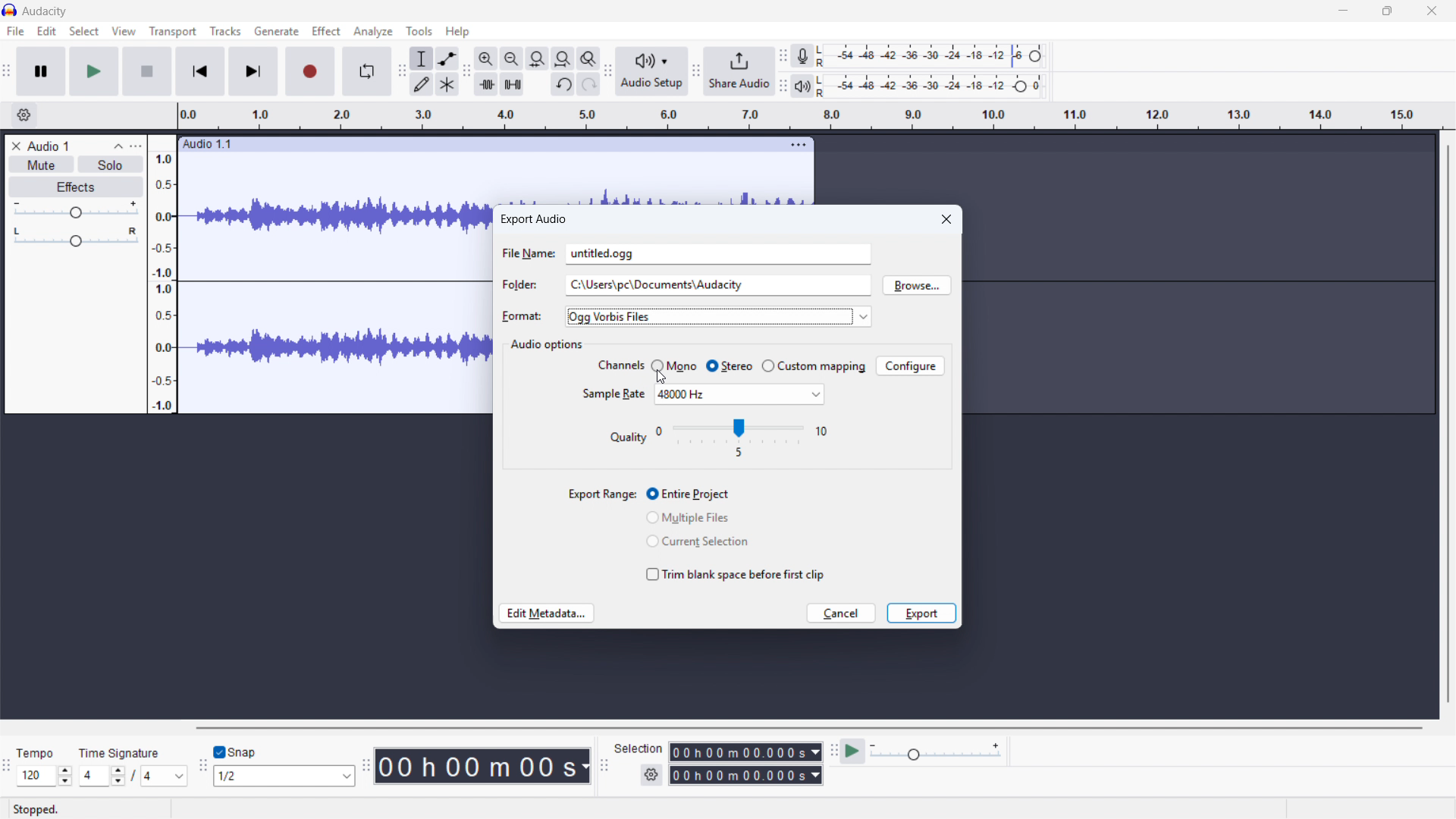 The width and height of the screenshot is (1456, 819). I want to click on Track title , so click(71, 145).